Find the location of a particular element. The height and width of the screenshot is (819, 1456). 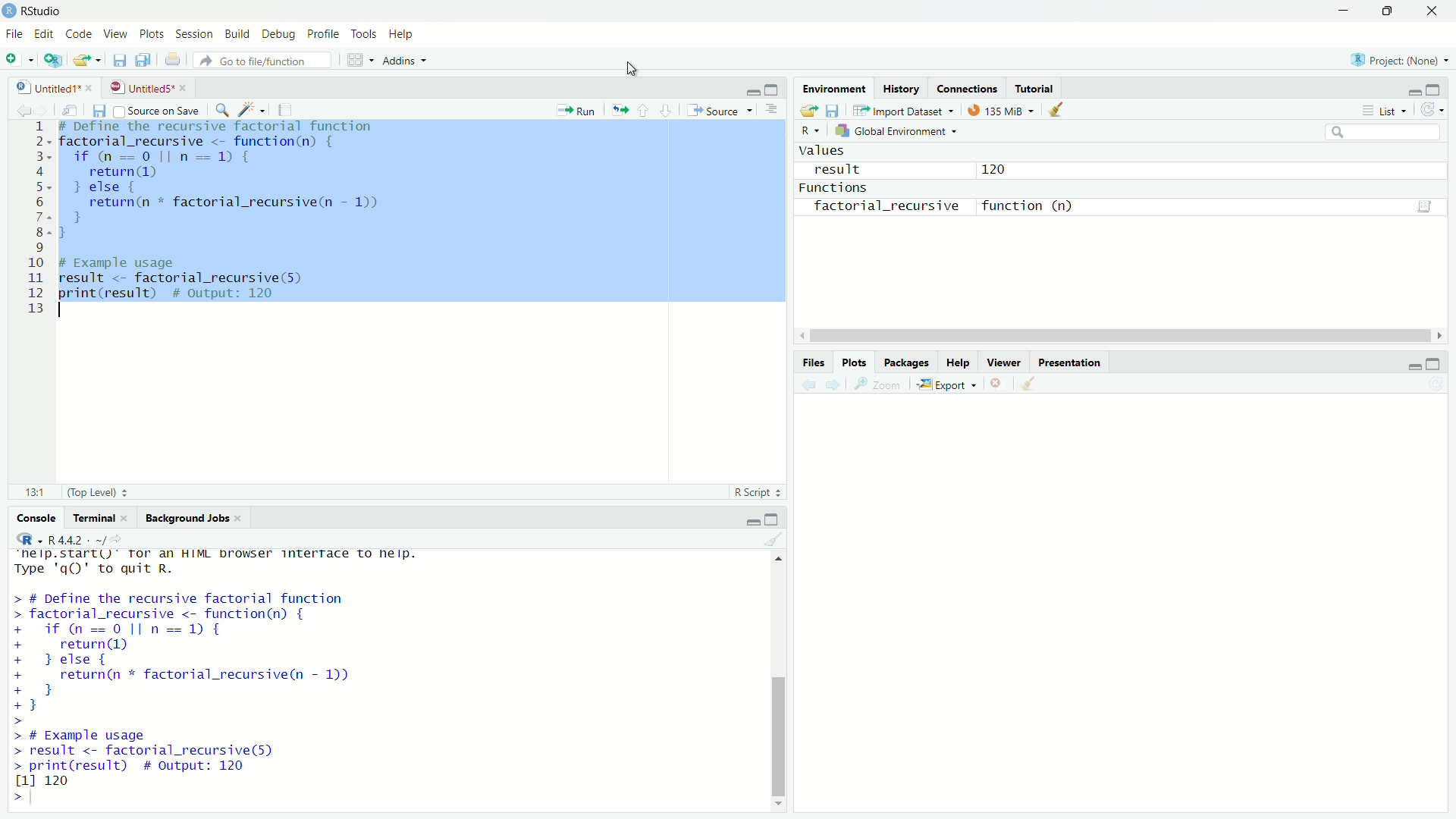

Sourceon Save is located at coordinates (158, 110).